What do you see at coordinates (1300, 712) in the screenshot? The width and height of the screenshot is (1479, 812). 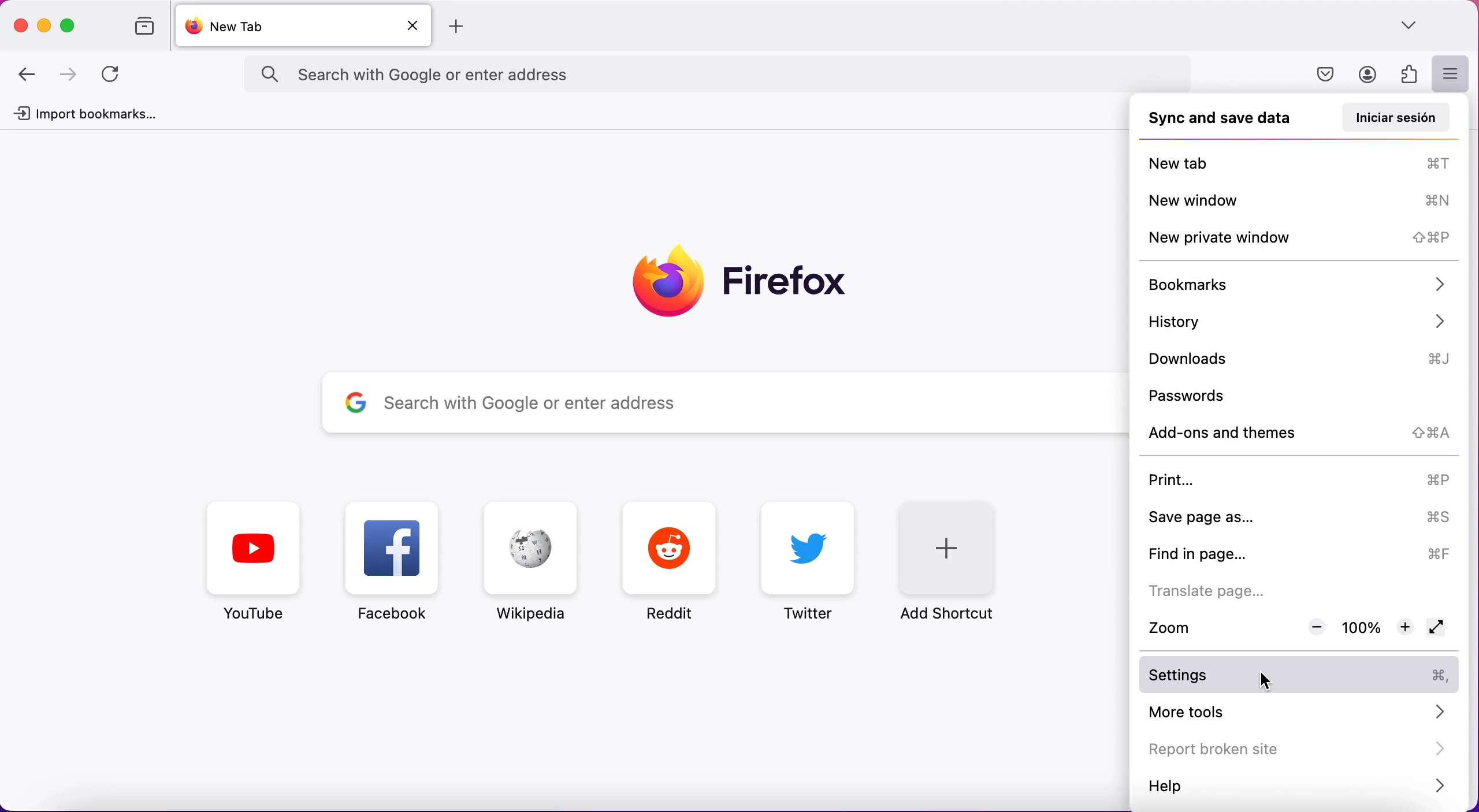 I see `more tools` at bounding box center [1300, 712].